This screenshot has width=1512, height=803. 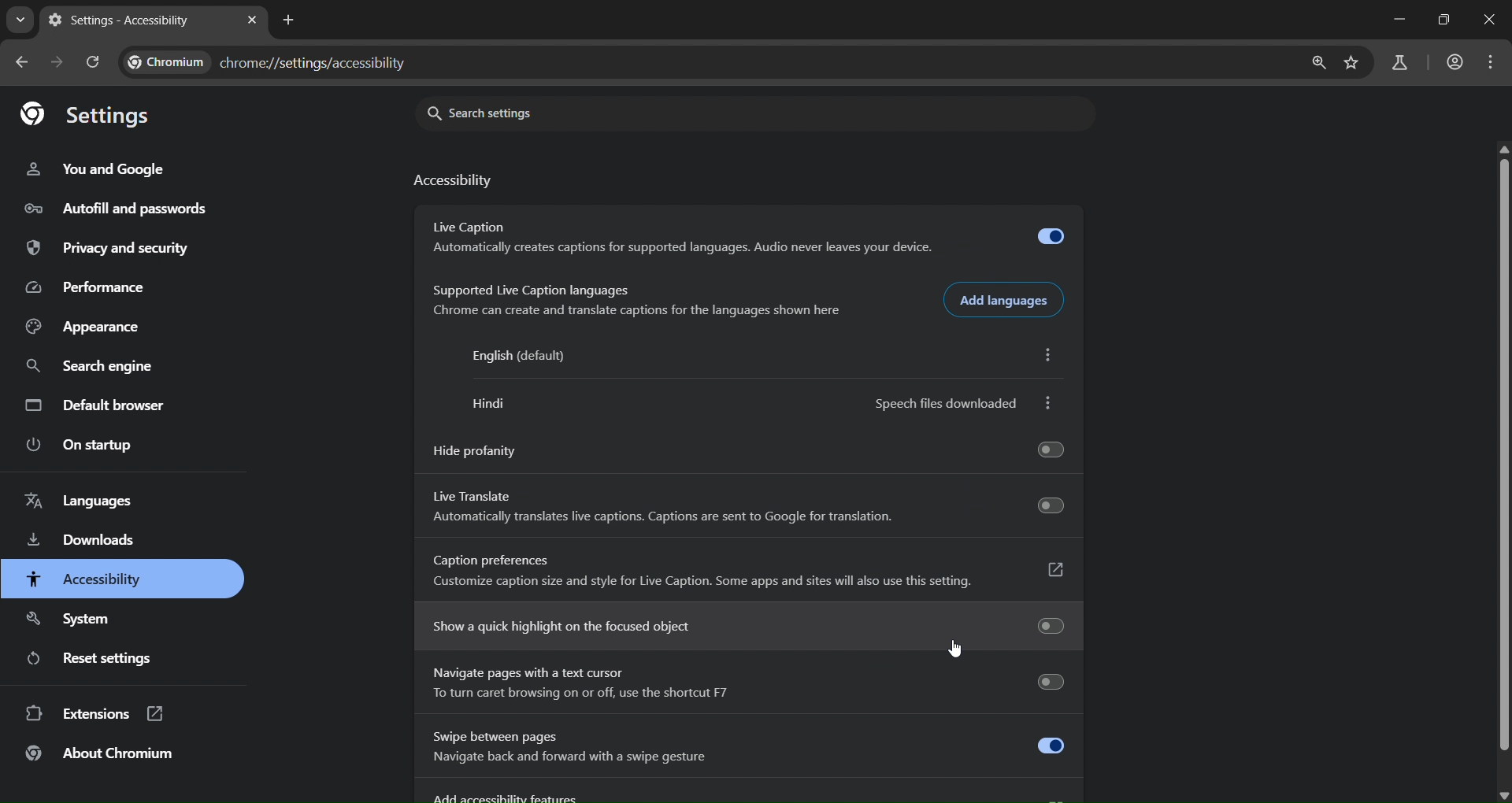 I want to click on search labs, so click(x=1399, y=65).